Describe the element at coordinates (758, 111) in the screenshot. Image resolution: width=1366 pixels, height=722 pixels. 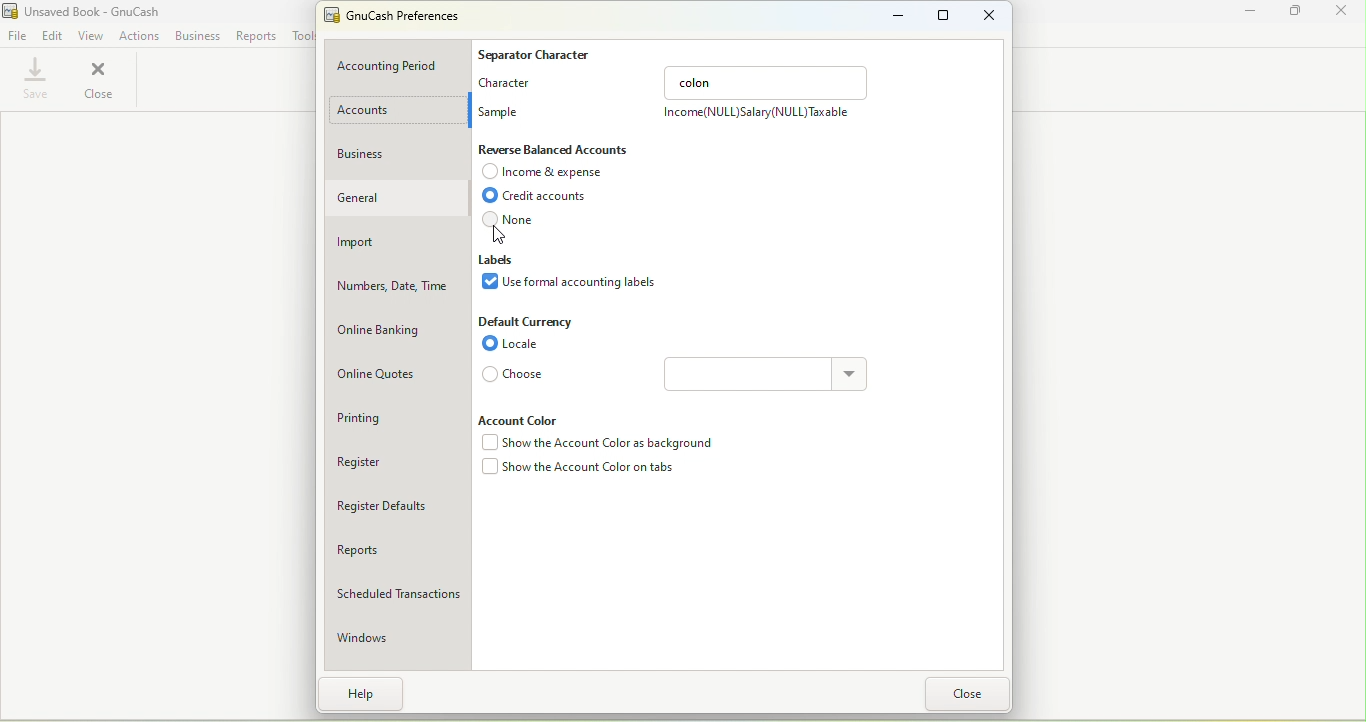
I see `Income(NULL)Salary(NULL) Taxable` at that location.